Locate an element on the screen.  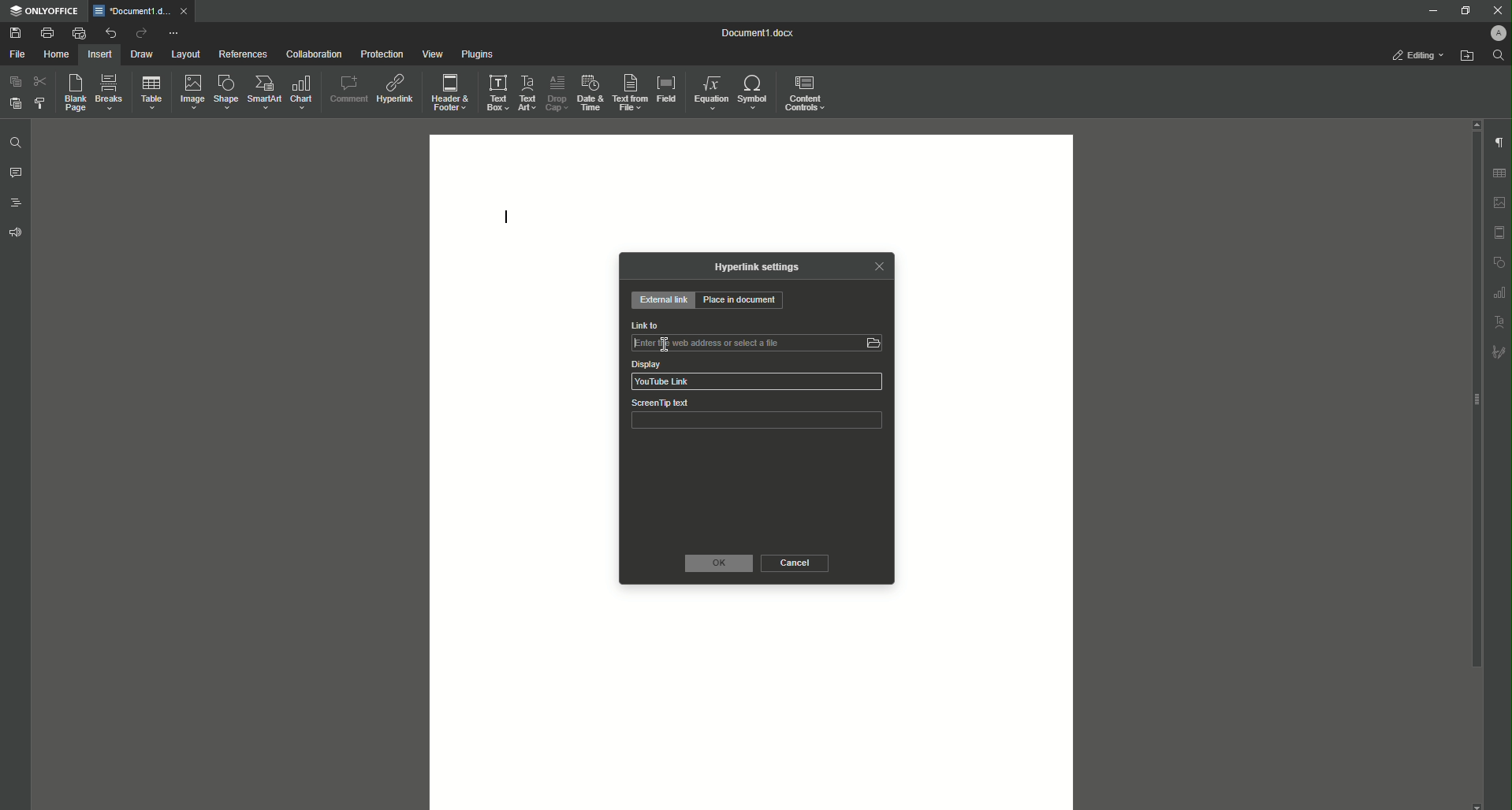
Cut is located at coordinates (39, 82).